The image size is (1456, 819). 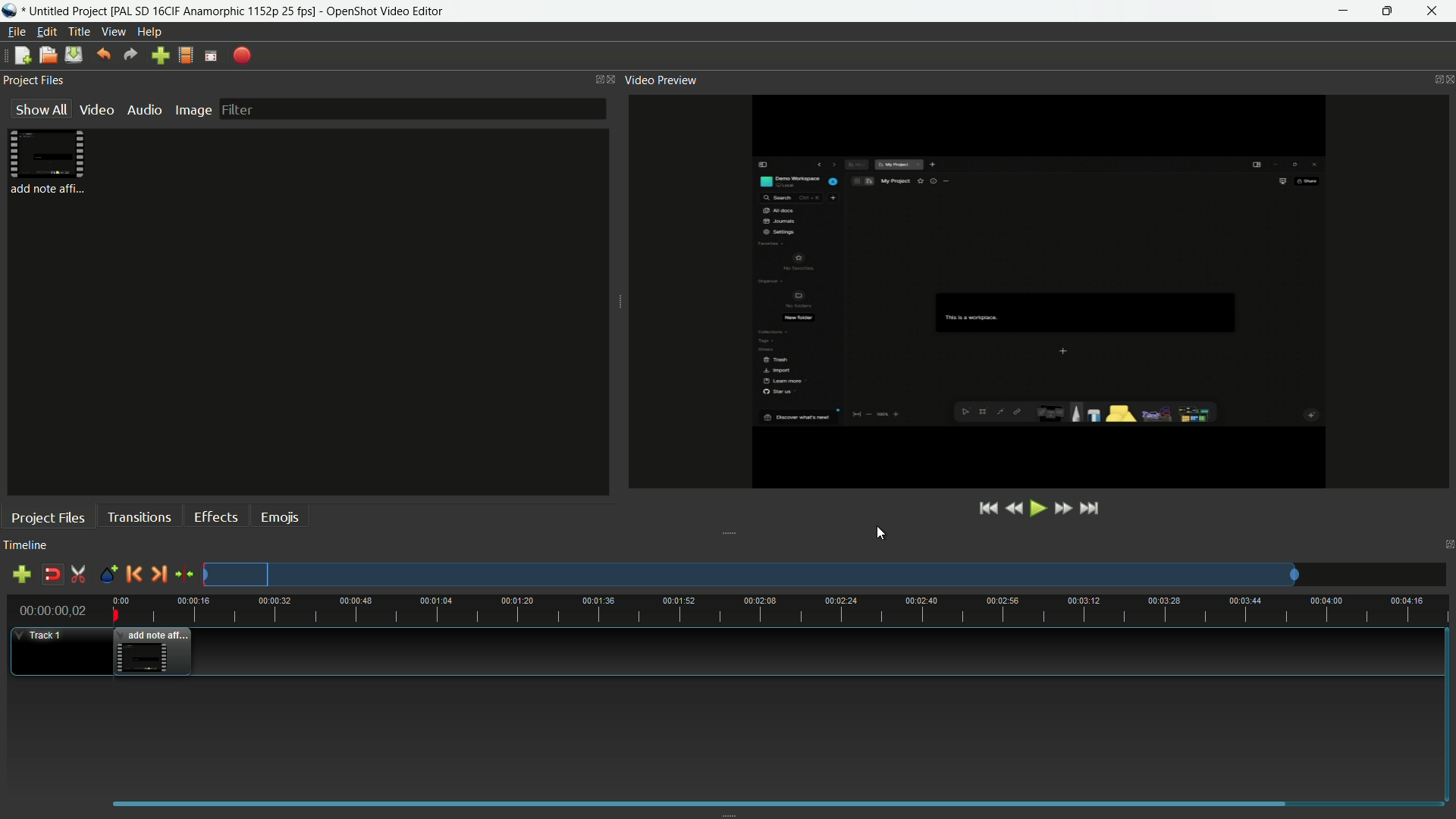 I want to click on project name, so click(x=69, y=11).